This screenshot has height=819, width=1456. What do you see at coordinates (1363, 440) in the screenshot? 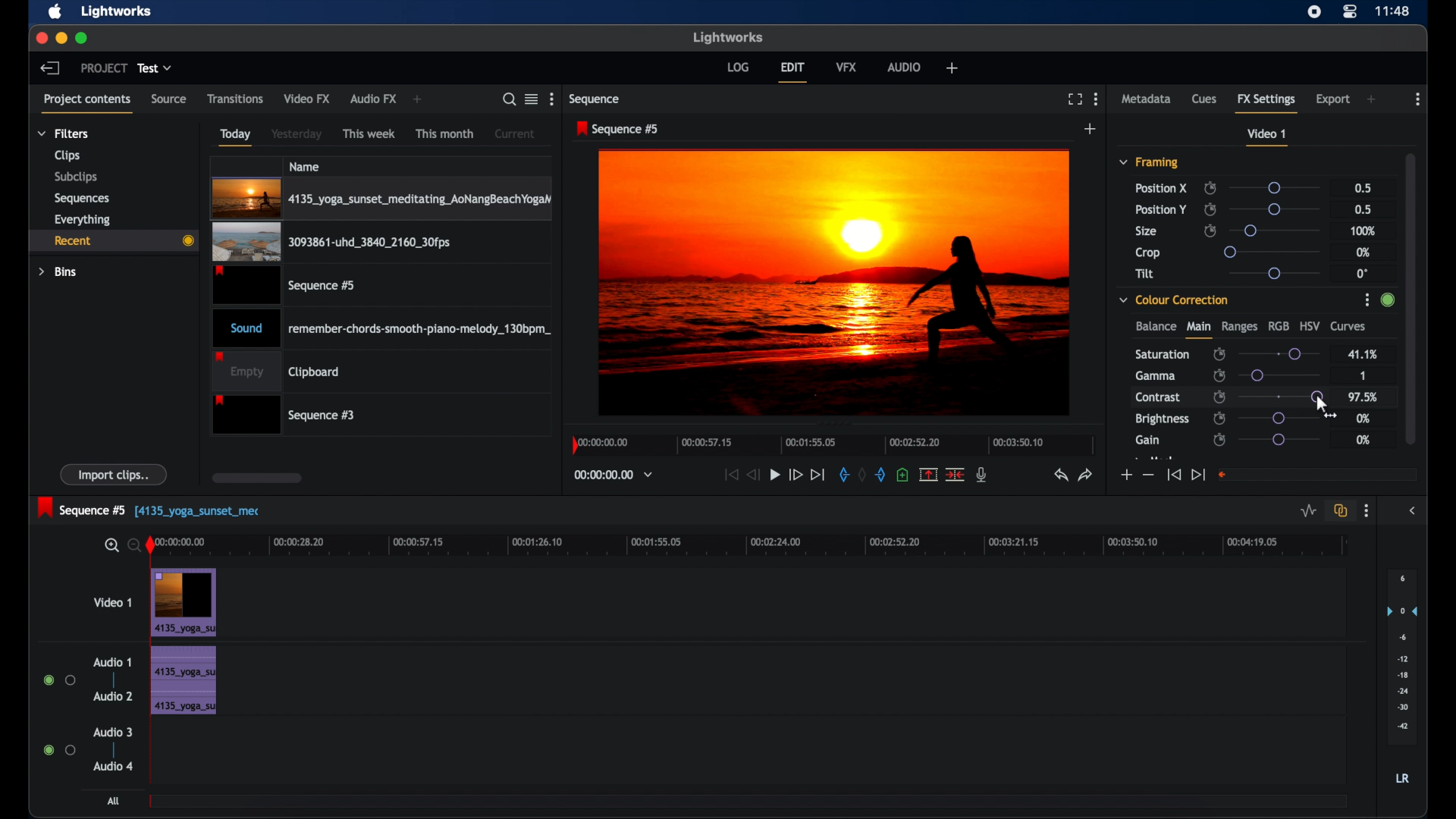
I see `0%` at bounding box center [1363, 440].